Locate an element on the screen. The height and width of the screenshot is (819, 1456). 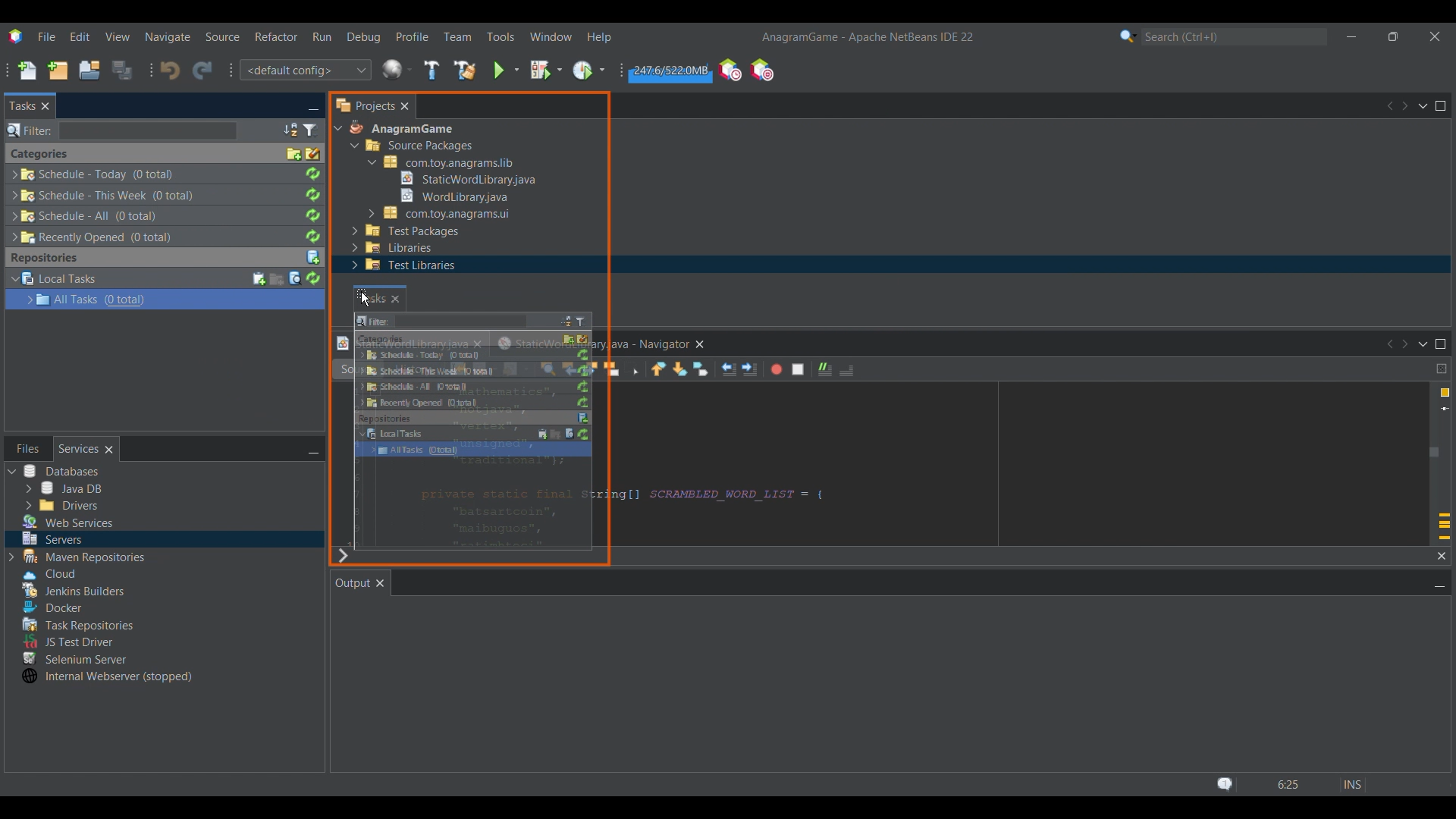
 is located at coordinates (60, 504).